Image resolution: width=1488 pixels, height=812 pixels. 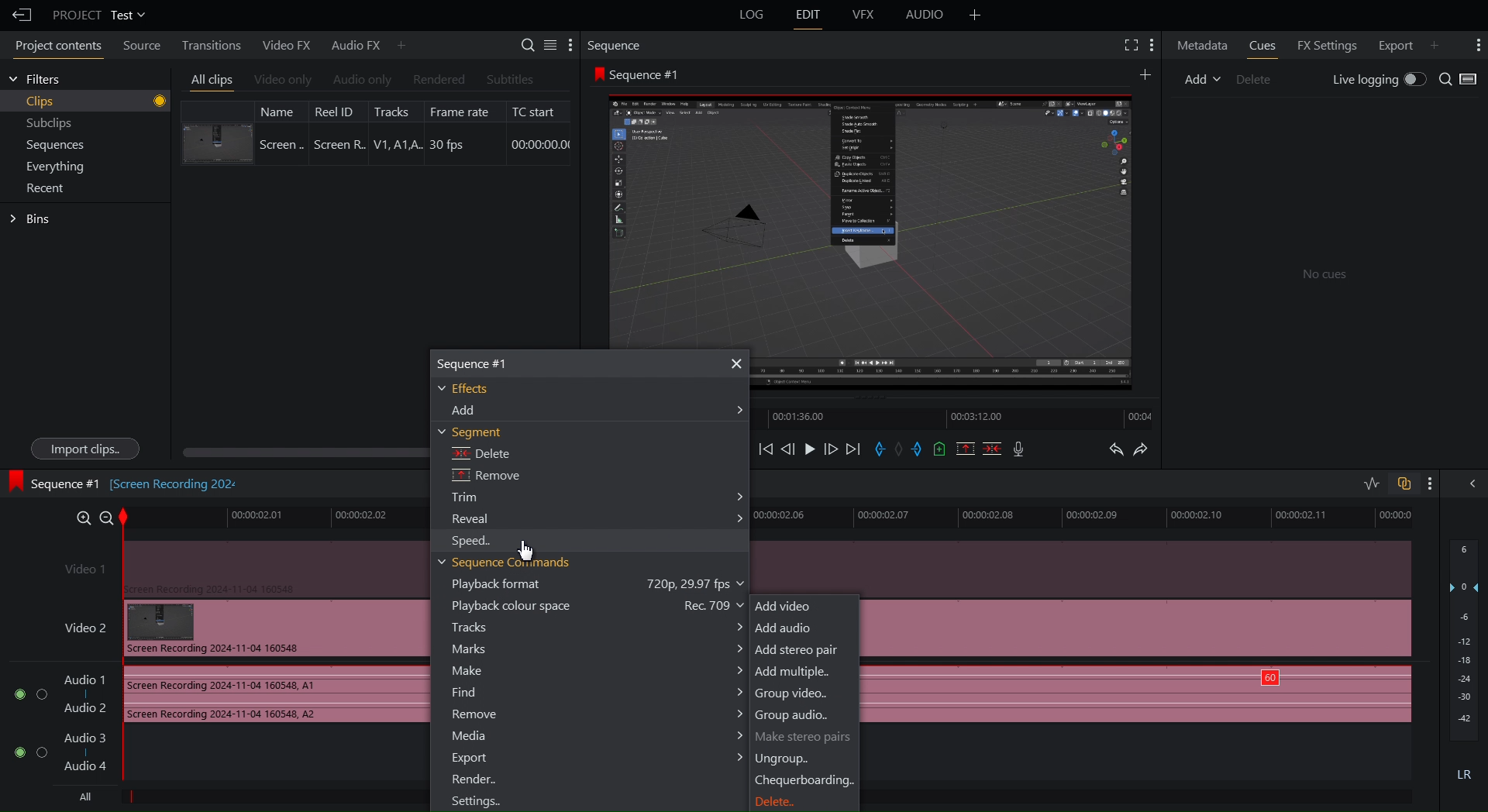 What do you see at coordinates (376, 132) in the screenshot?
I see `Clip` at bounding box center [376, 132].